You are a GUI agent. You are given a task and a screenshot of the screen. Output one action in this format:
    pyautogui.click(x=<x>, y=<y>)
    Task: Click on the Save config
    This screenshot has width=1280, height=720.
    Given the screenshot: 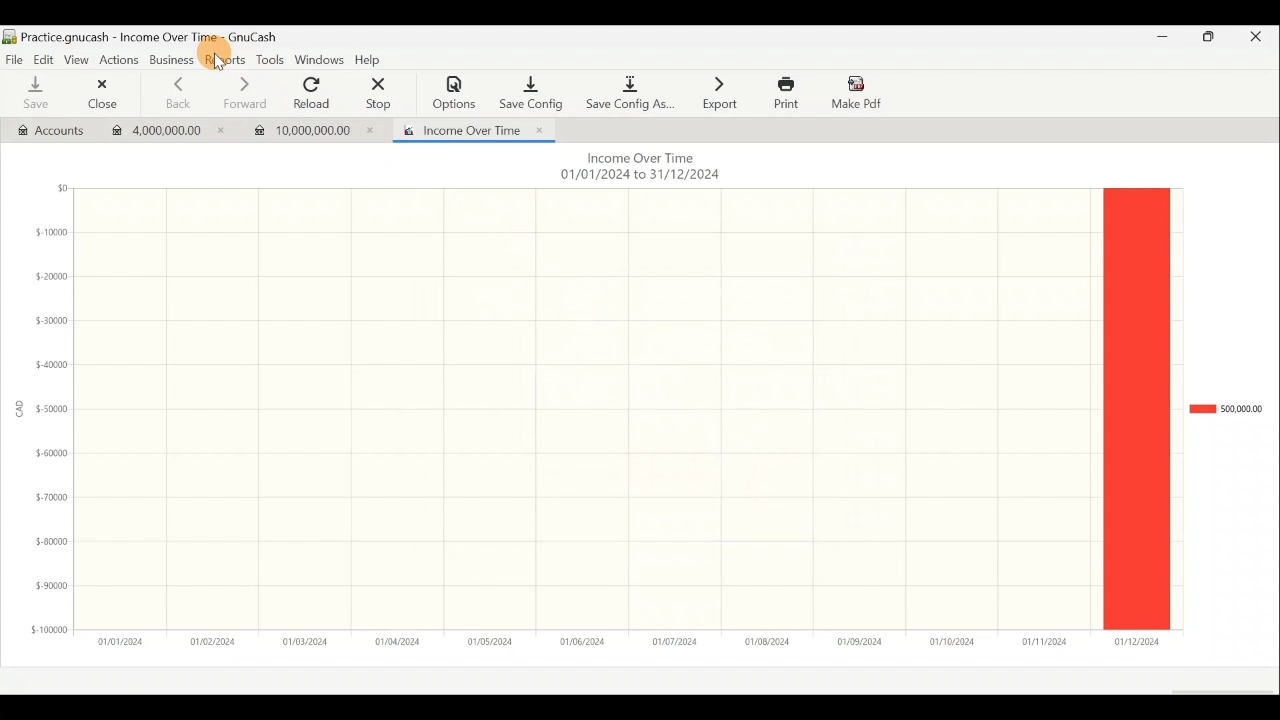 What is the action you would take?
    pyautogui.click(x=530, y=88)
    